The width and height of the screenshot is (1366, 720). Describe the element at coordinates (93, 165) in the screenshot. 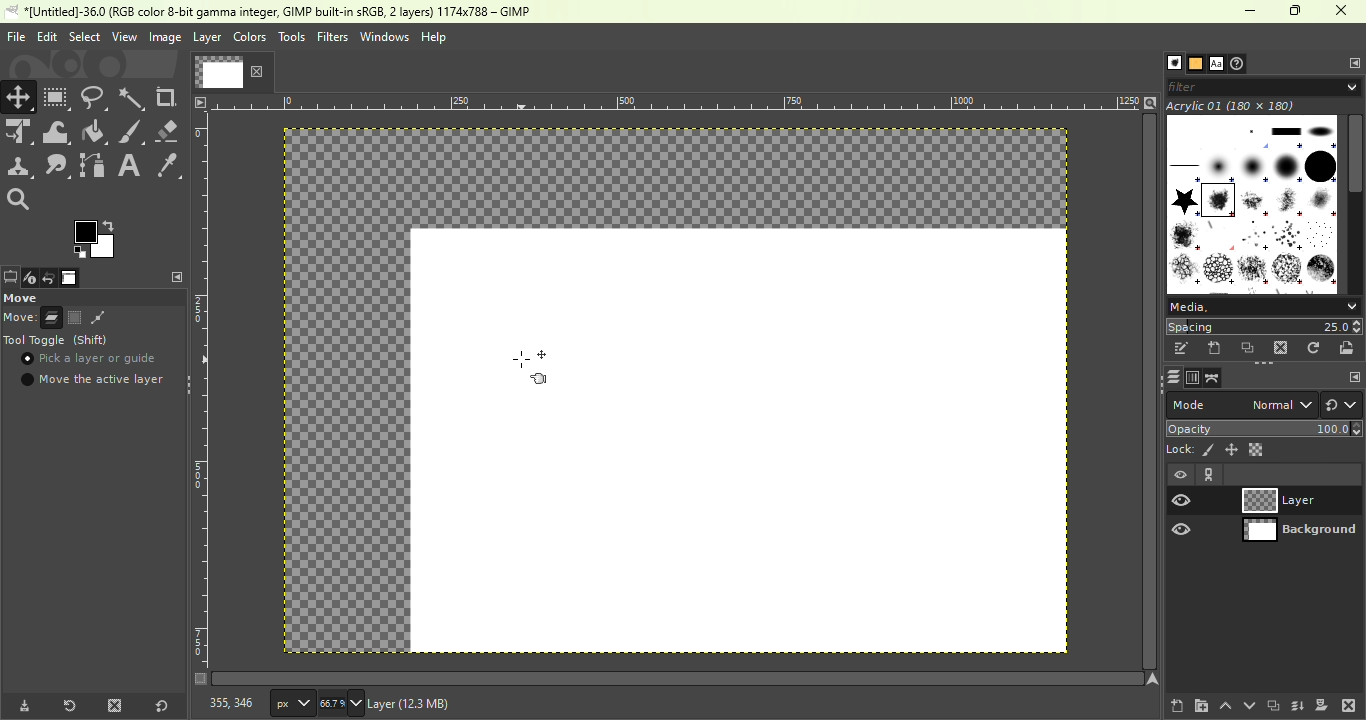

I see `Paths tool` at that location.